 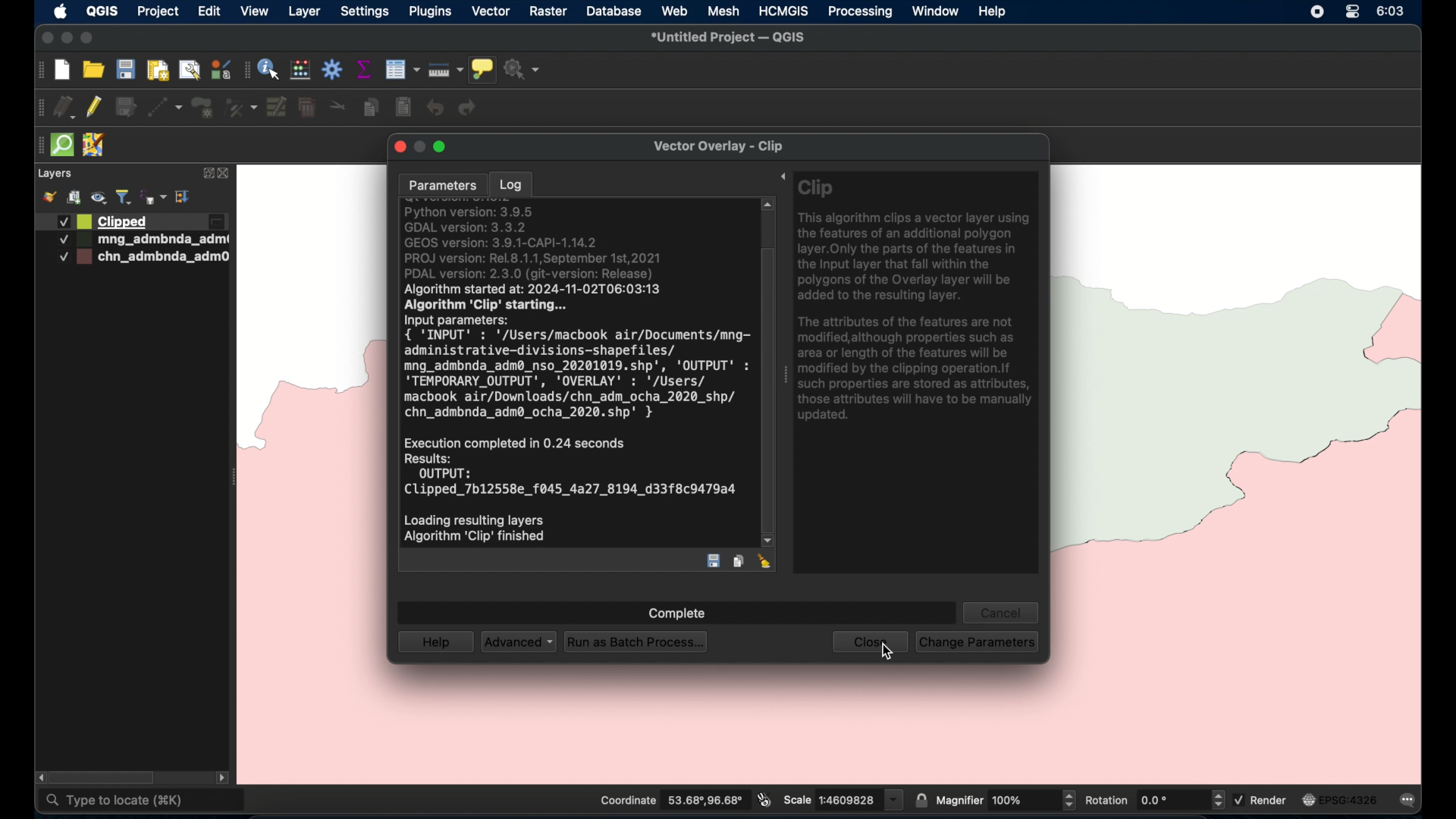 I want to click on lock scale, so click(x=921, y=799).